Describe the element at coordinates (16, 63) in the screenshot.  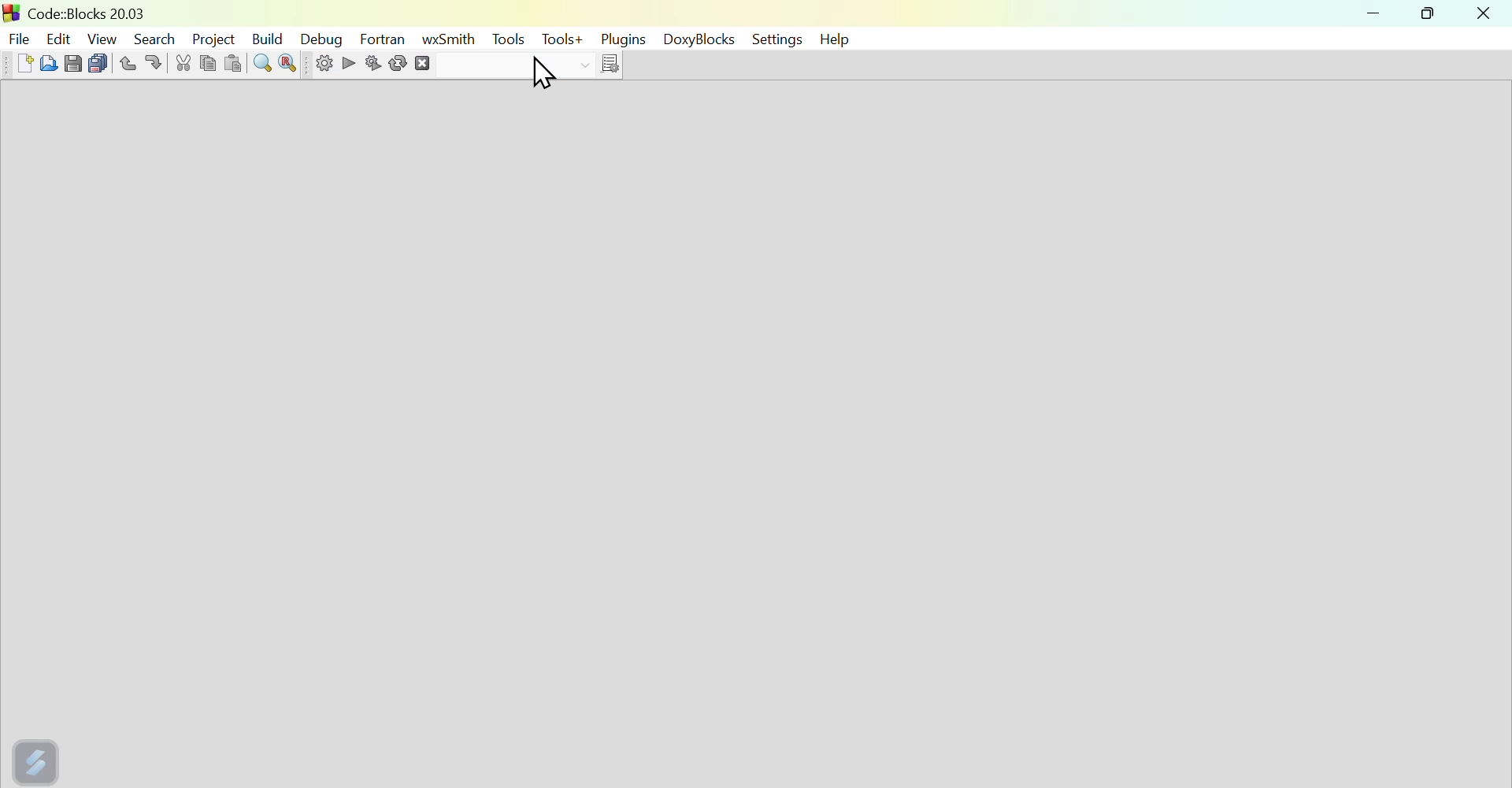
I see `new` at that location.